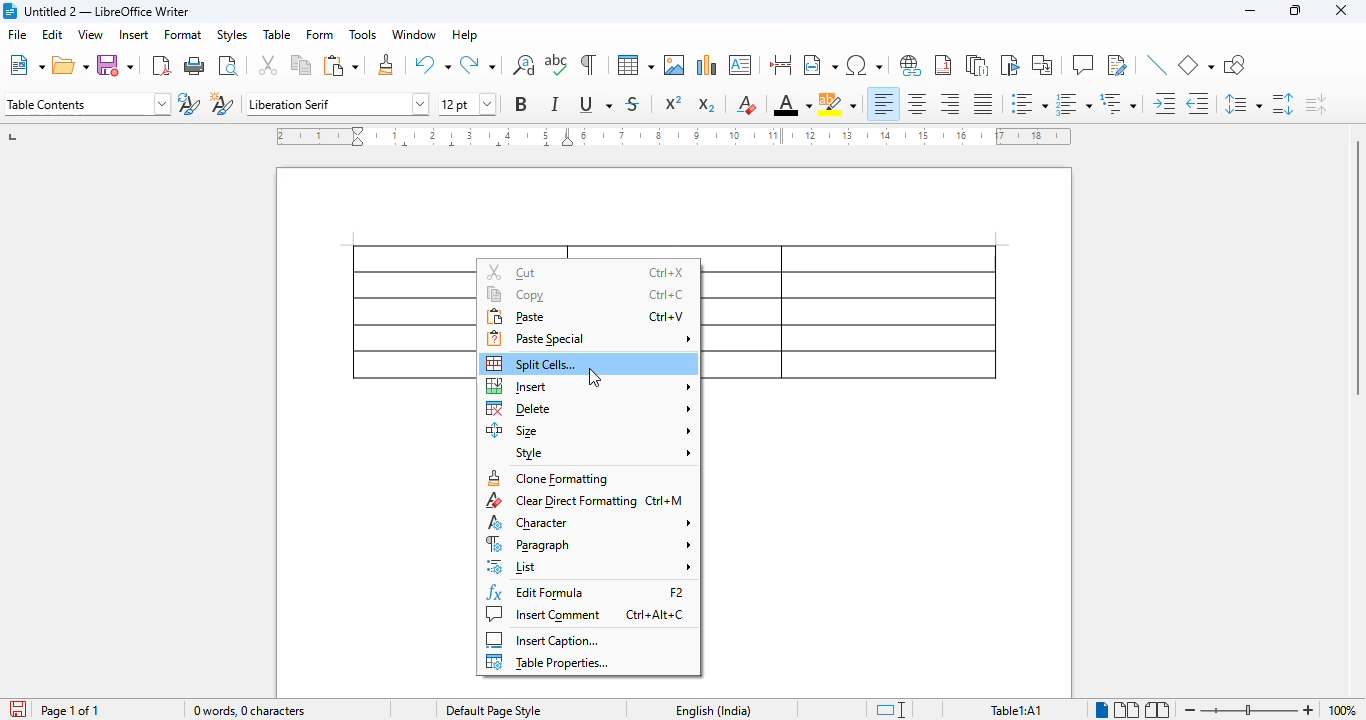  Describe the element at coordinates (543, 639) in the screenshot. I see `insert caption` at that location.